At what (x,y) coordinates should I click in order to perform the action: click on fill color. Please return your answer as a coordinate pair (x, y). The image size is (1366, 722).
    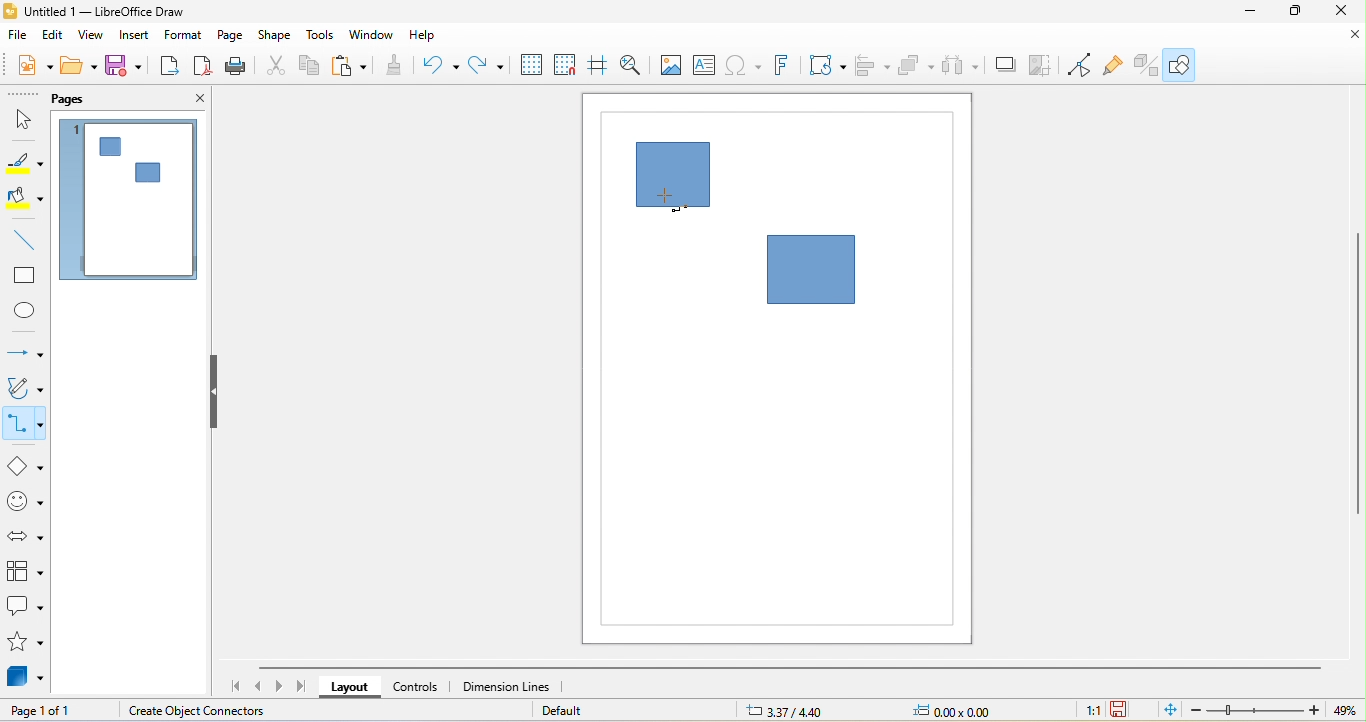
    Looking at the image, I should click on (25, 198).